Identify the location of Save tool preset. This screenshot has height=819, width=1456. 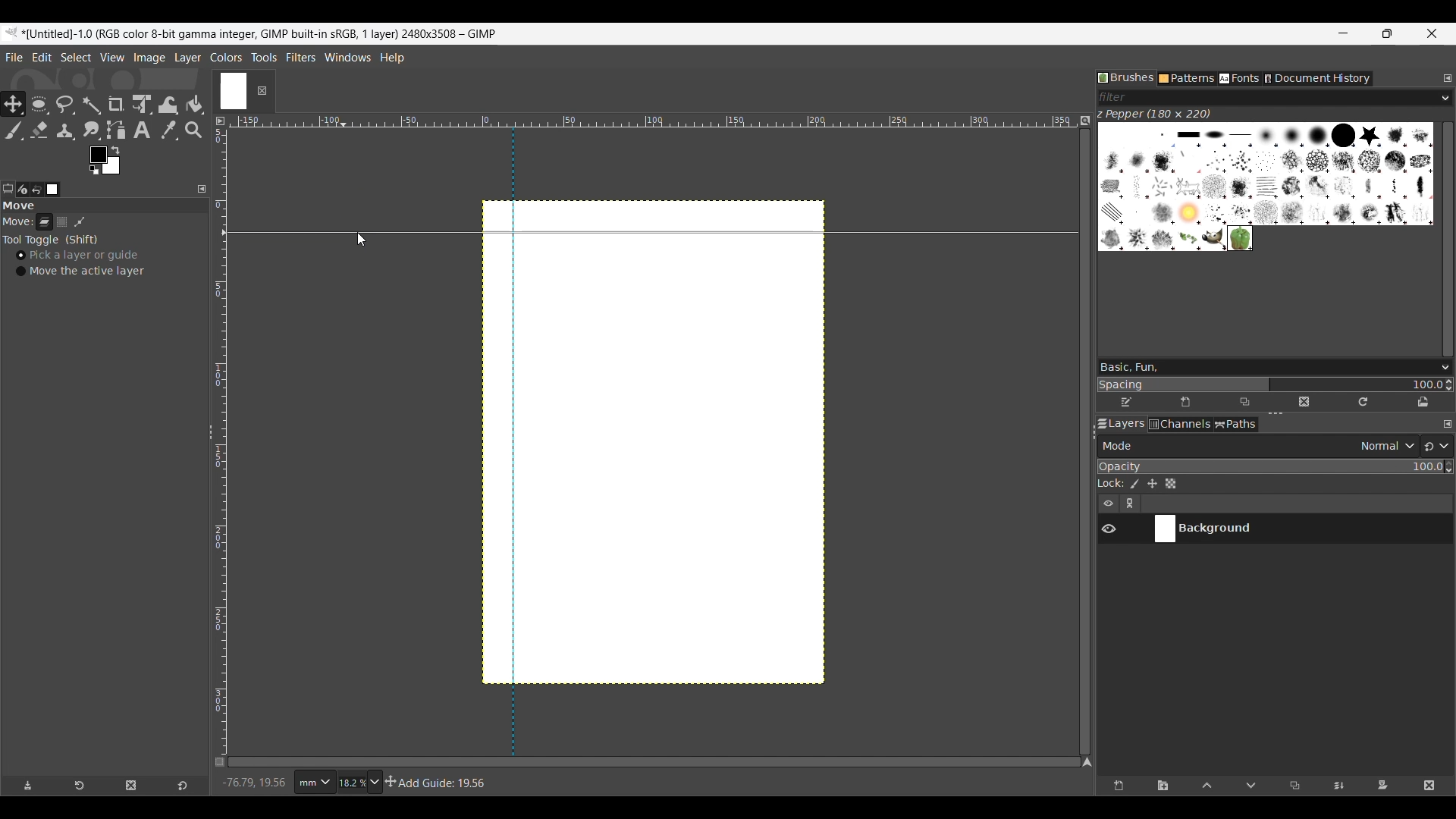
(28, 786).